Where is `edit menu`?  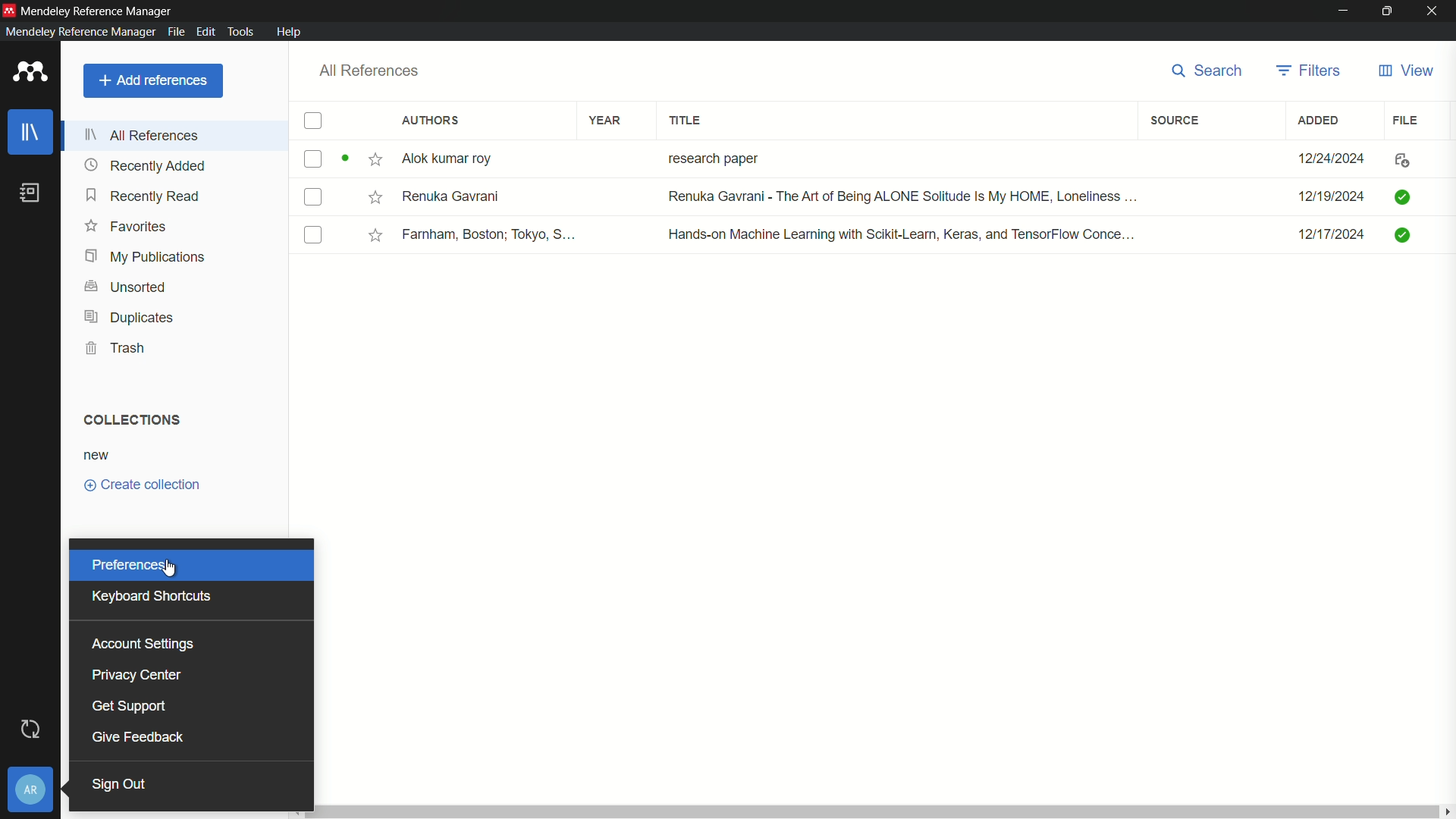
edit menu is located at coordinates (206, 32).